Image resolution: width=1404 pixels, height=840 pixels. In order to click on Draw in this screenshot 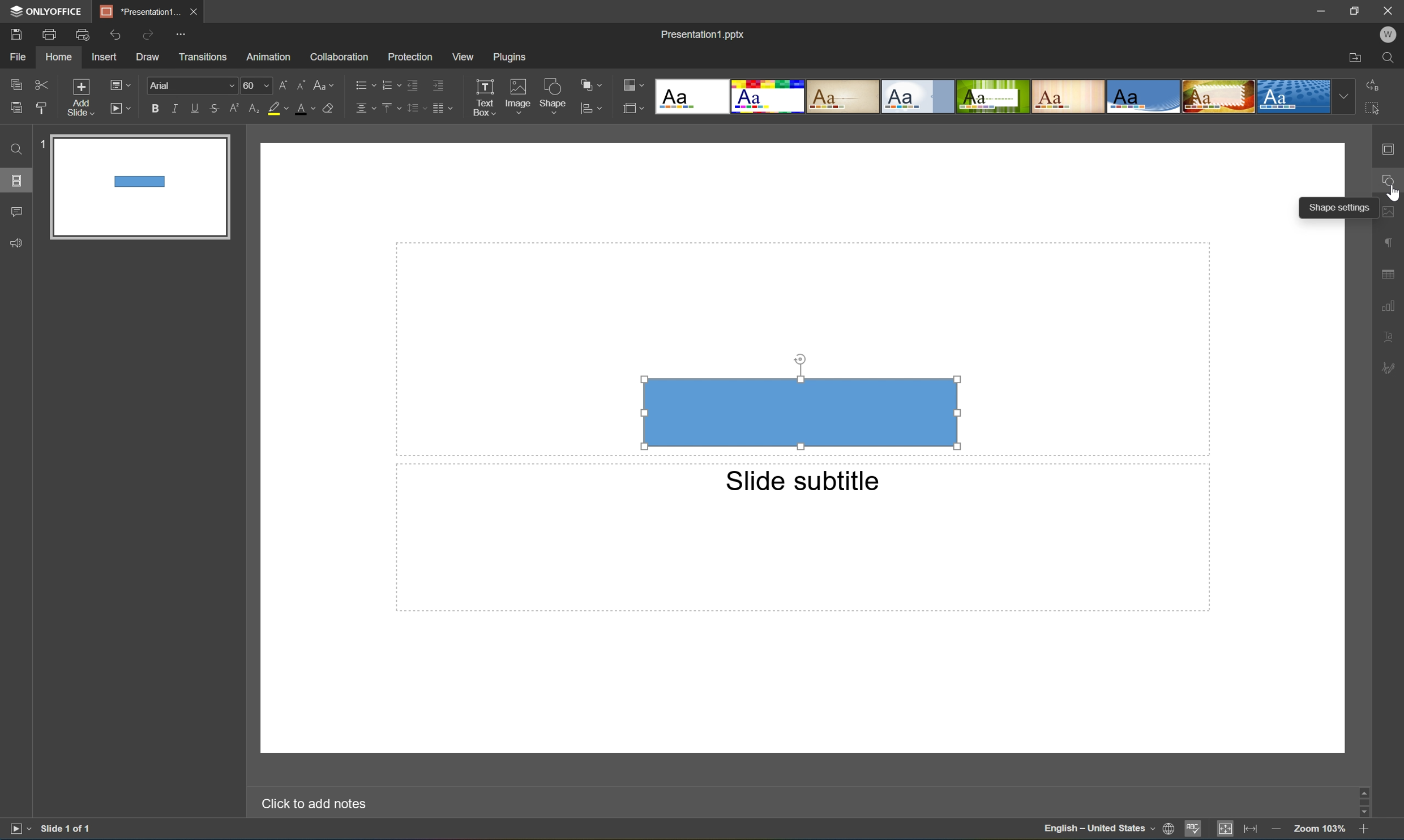, I will do `click(149, 58)`.